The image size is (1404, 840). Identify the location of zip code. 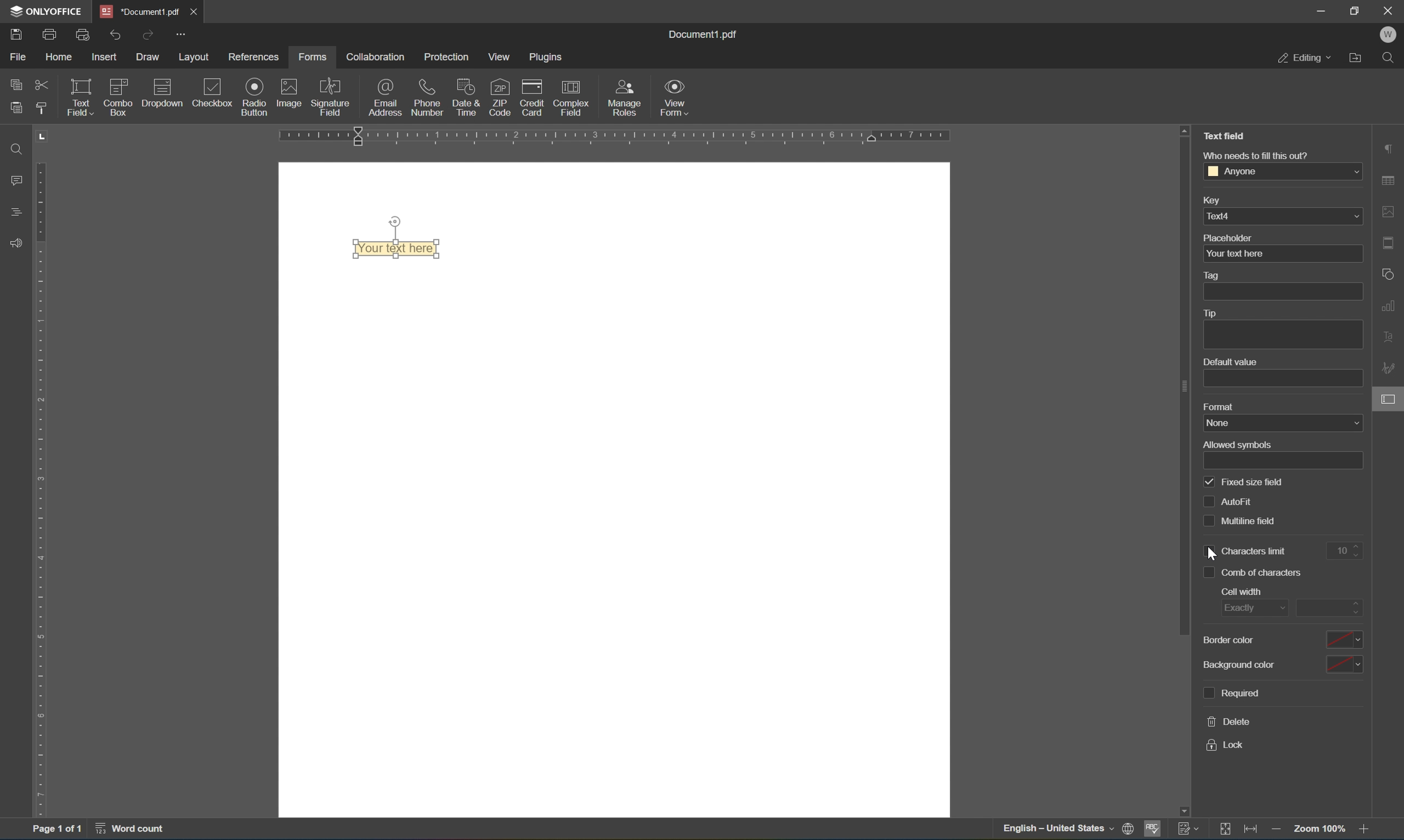
(499, 98).